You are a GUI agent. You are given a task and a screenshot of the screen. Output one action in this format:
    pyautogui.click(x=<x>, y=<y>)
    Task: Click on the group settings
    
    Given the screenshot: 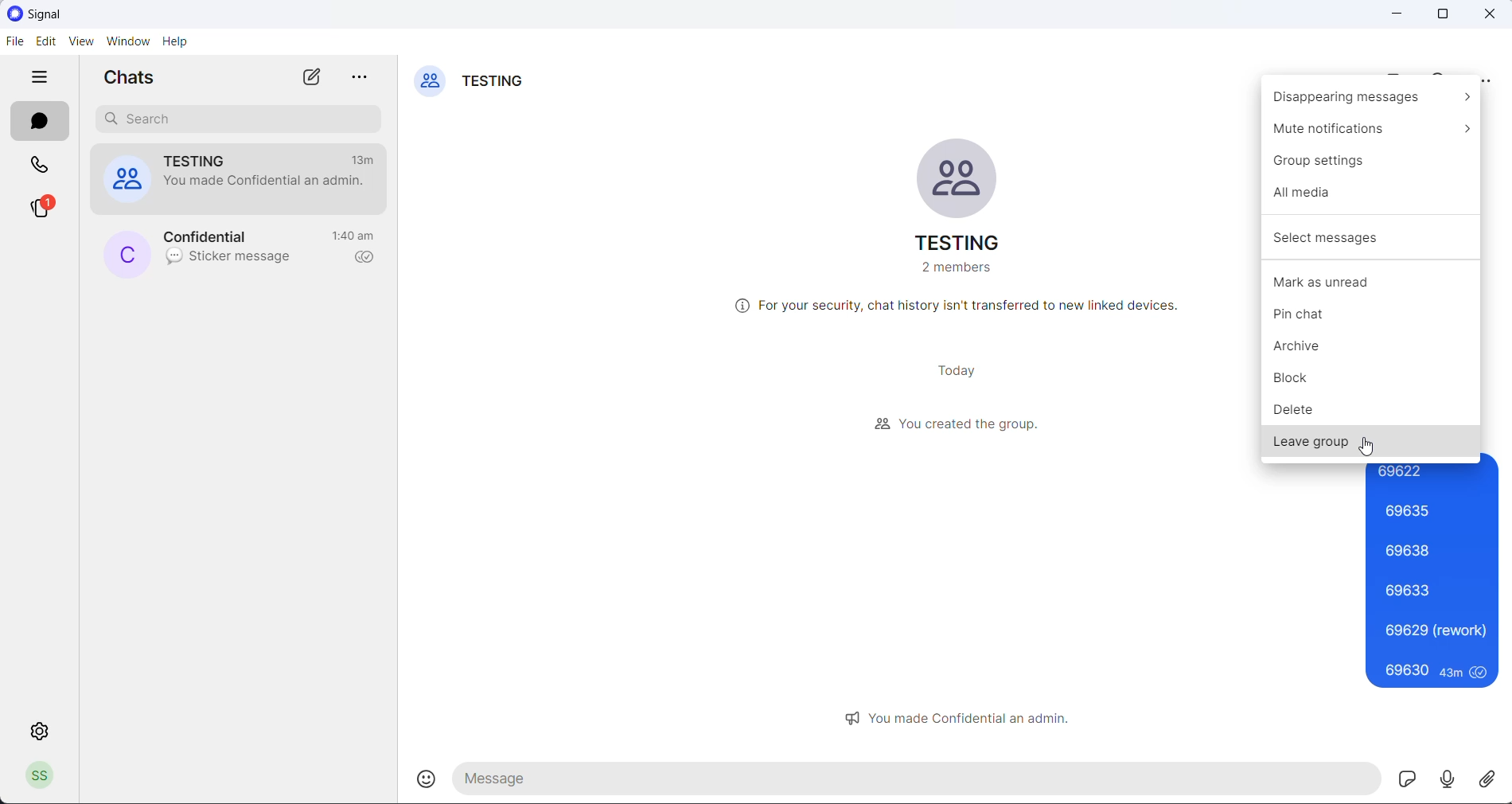 What is the action you would take?
    pyautogui.click(x=1370, y=160)
    